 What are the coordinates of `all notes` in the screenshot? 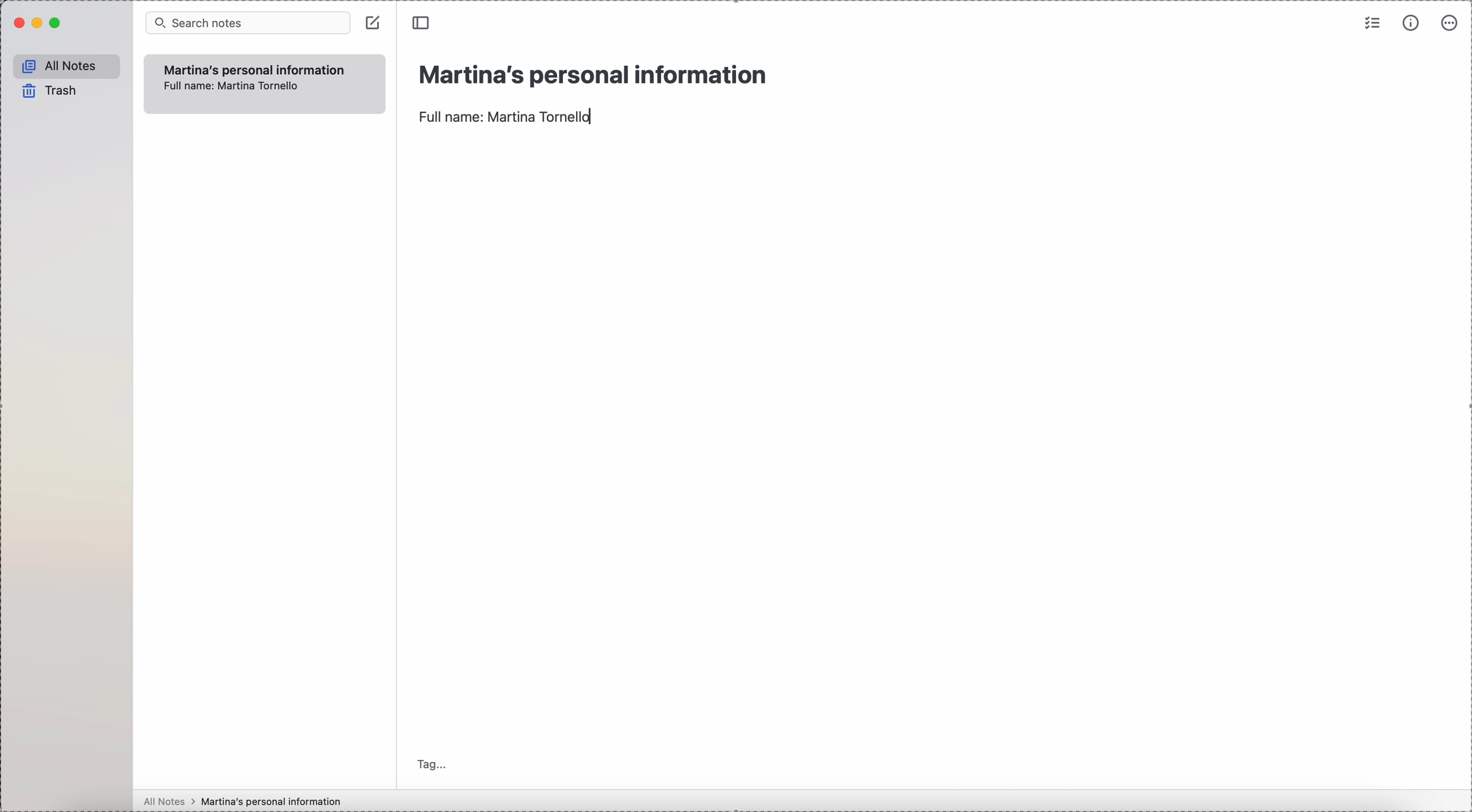 It's located at (66, 66).